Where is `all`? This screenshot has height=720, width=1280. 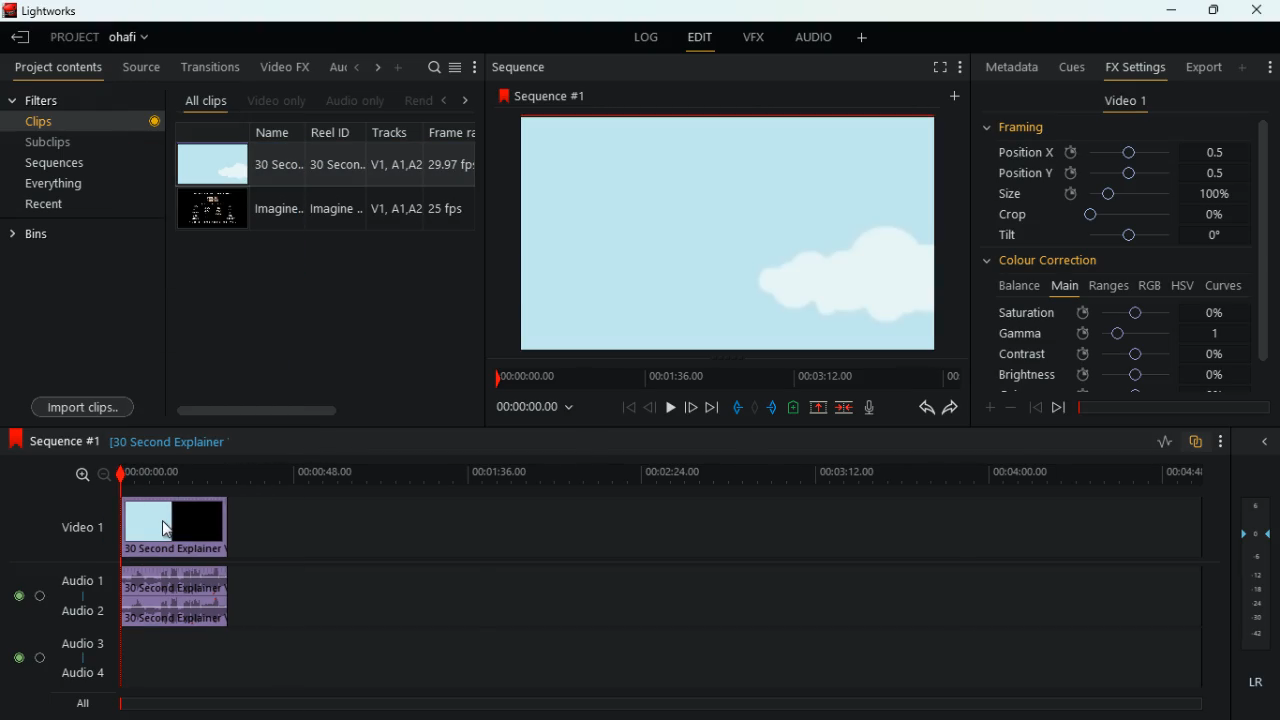
all is located at coordinates (78, 702).